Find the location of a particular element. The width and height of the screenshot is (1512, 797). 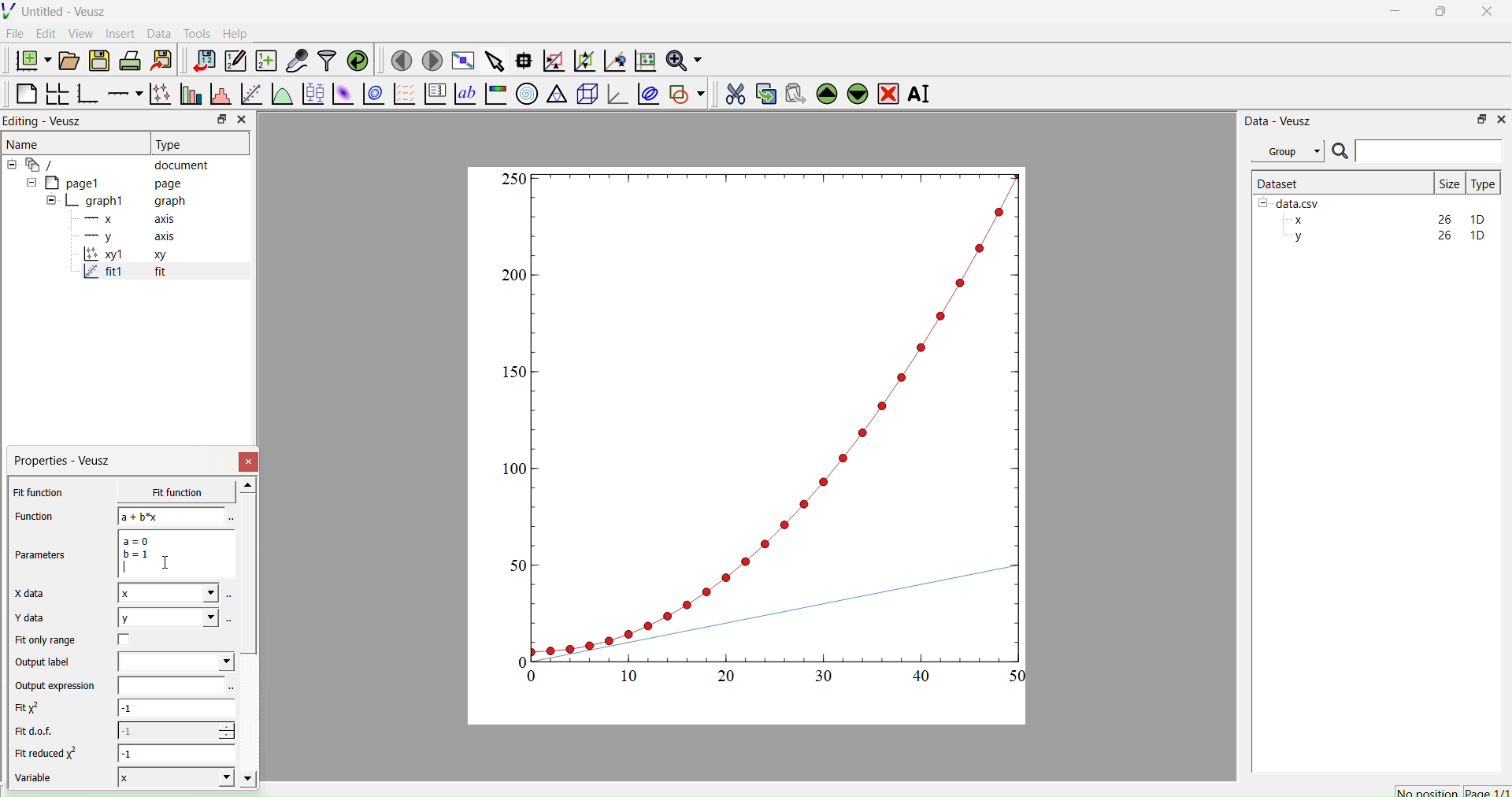

Fit function is located at coordinates (40, 492).